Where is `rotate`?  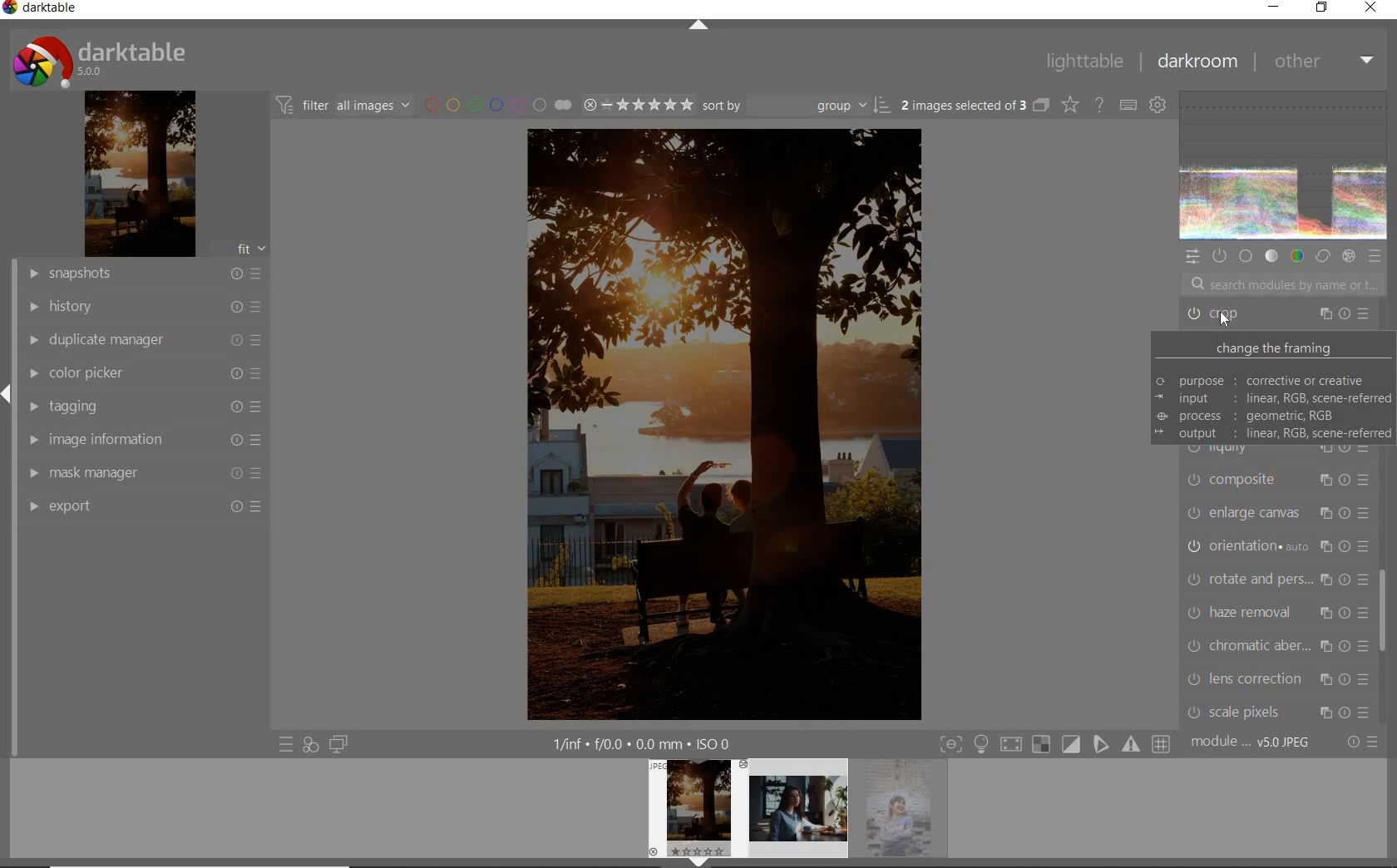
rotate is located at coordinates (1278, 580).